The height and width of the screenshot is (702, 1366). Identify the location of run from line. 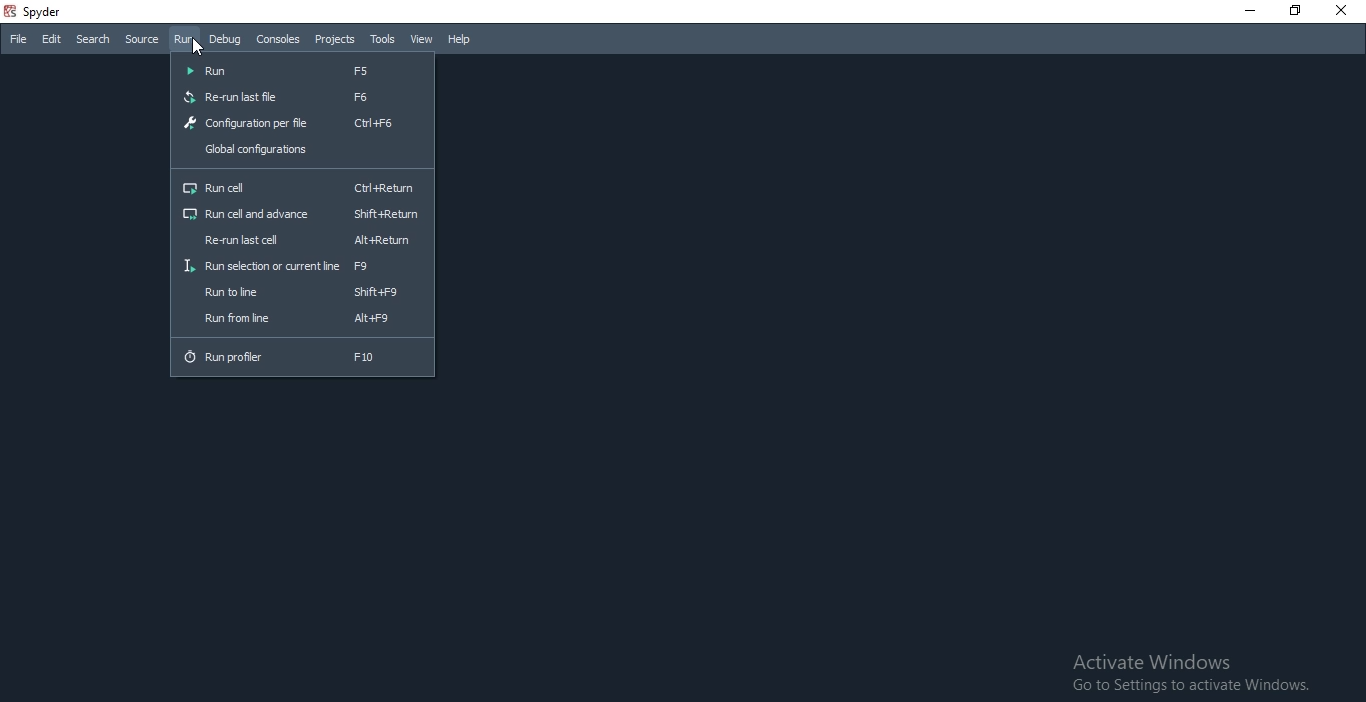
(305, 321).